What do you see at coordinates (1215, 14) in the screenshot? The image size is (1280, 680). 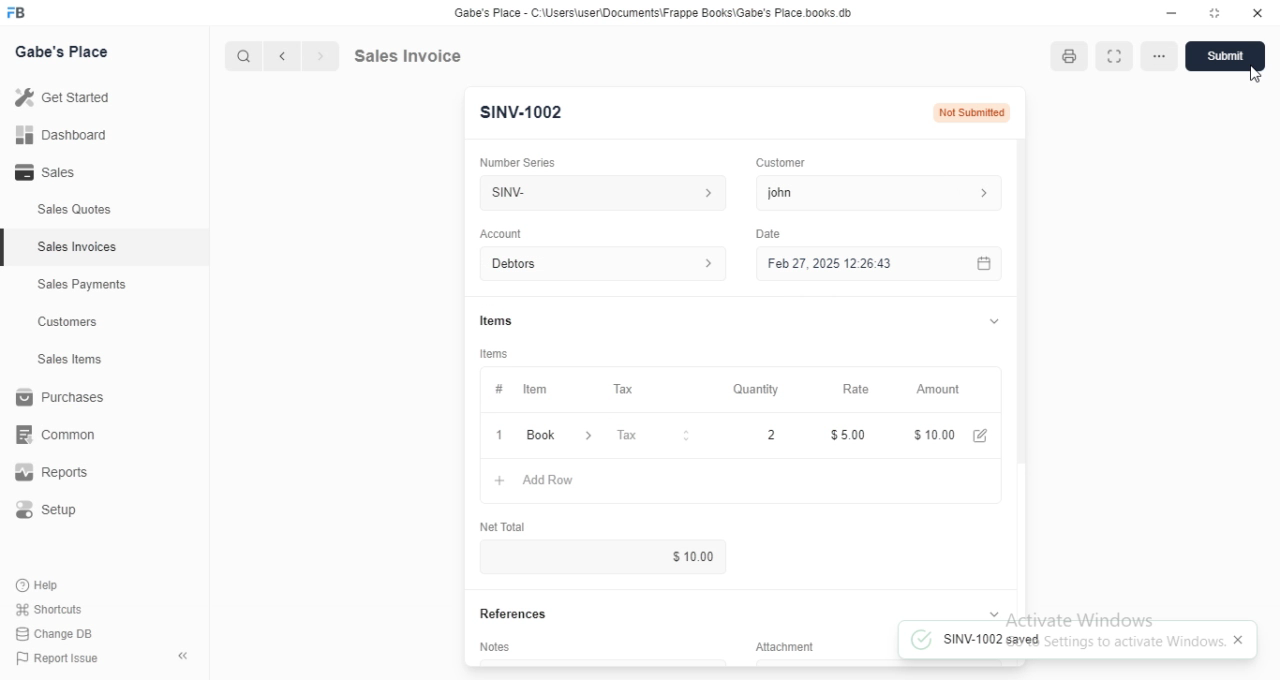 I see `Expand` at bounding box center [1215, 14].